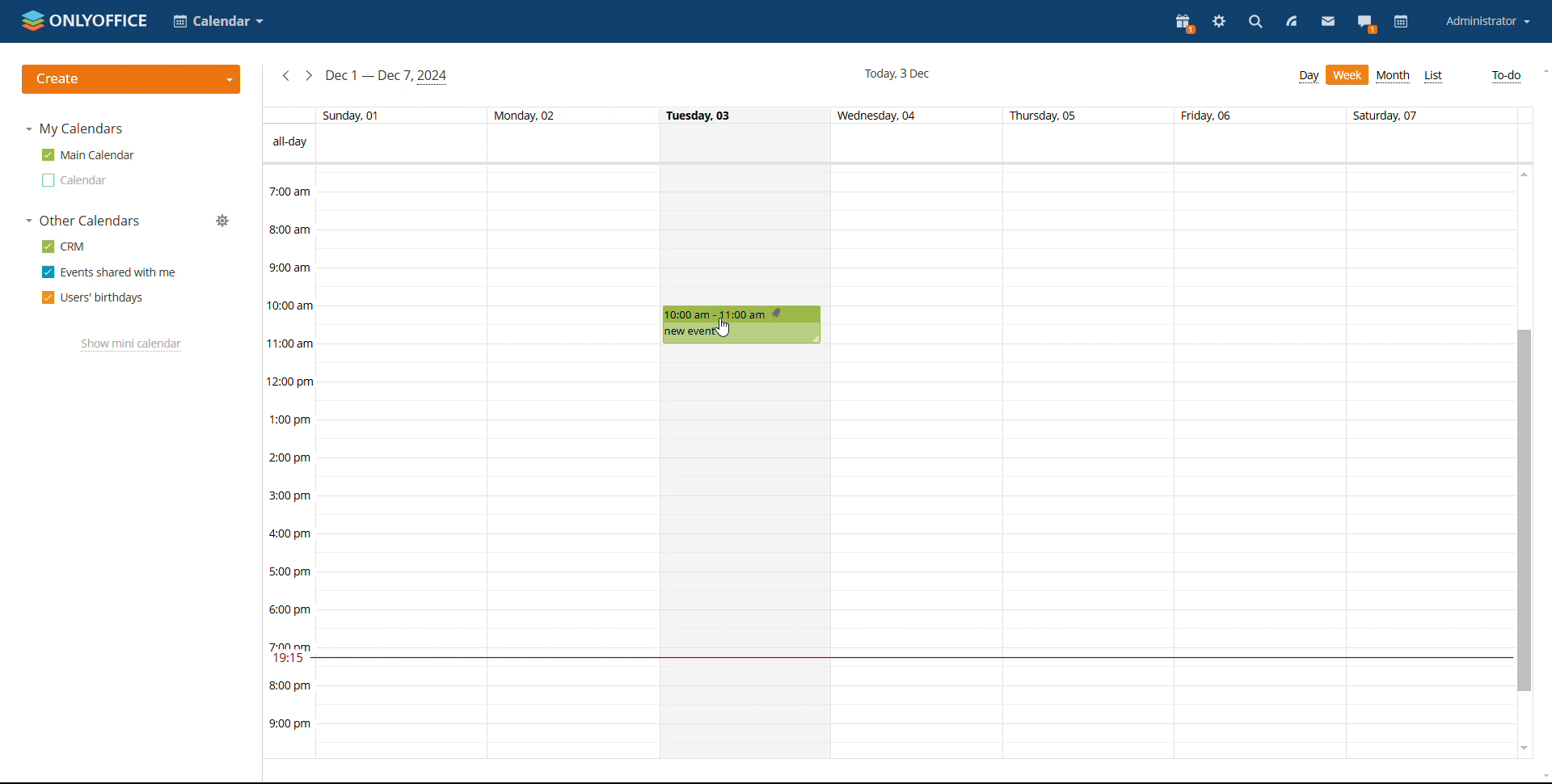  What do you see at coordinates (291, 343) in the screenshot?
I see `11:00 am` at bounding box center [291, 343].